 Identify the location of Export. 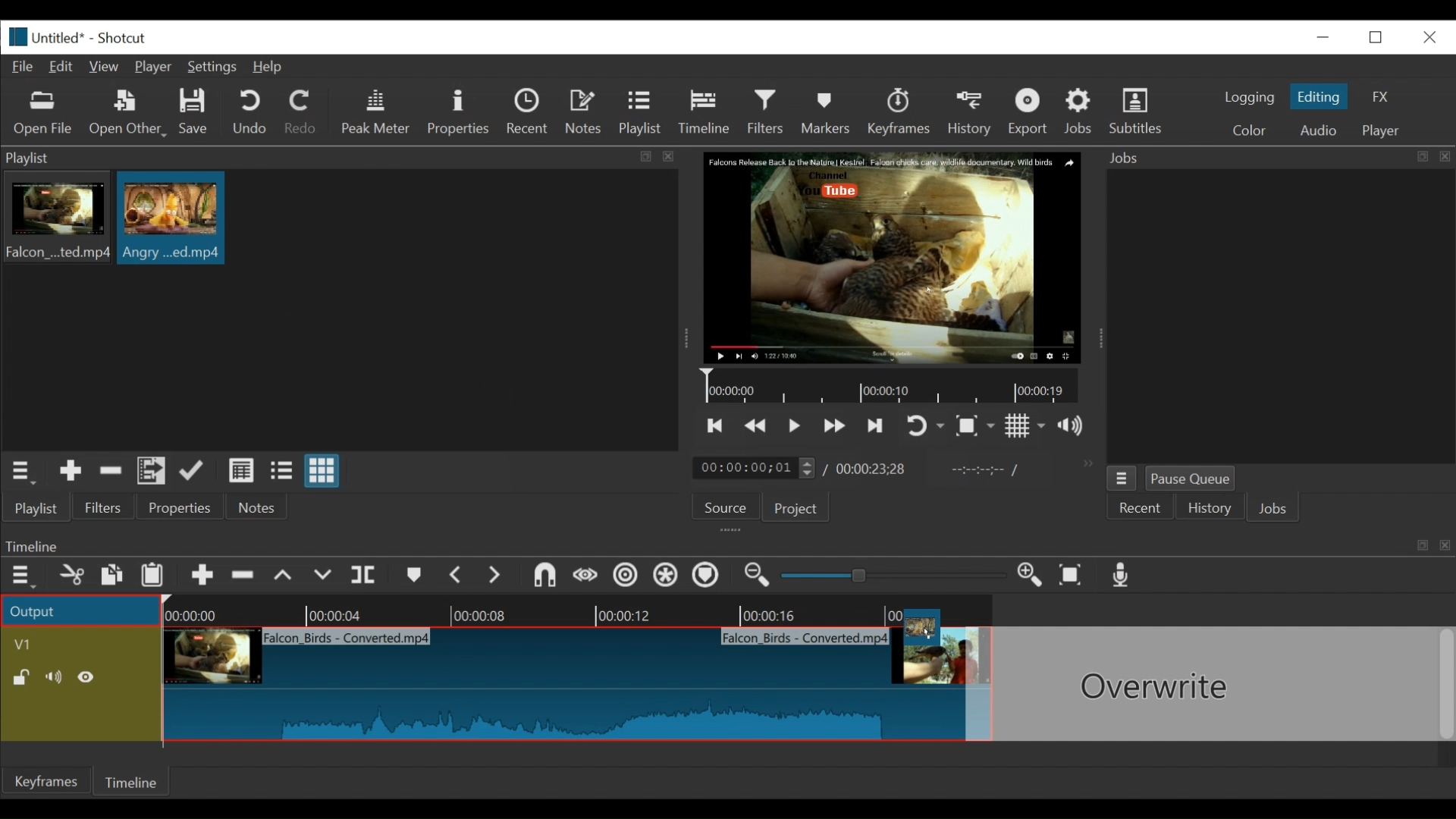
(1031, 114).